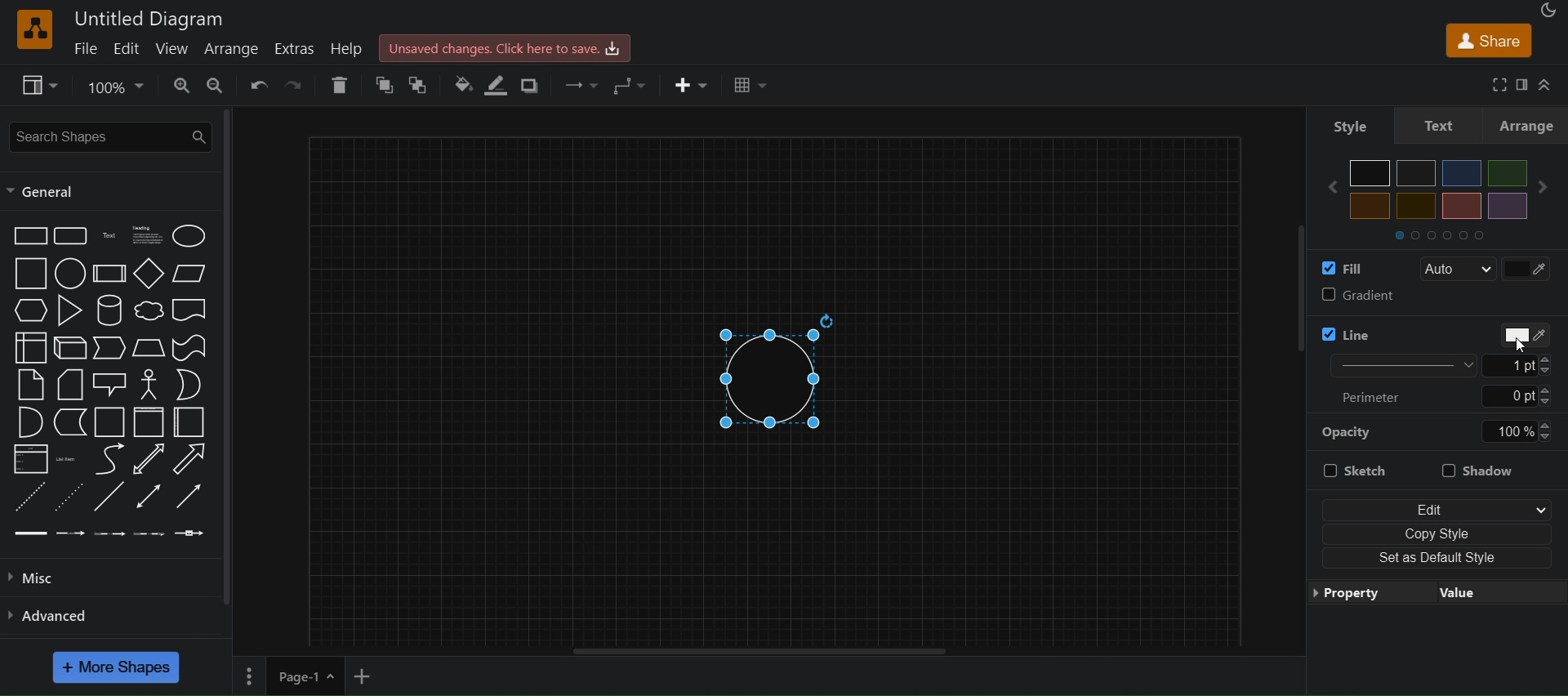  I want to click on style, so click(1343, 123).